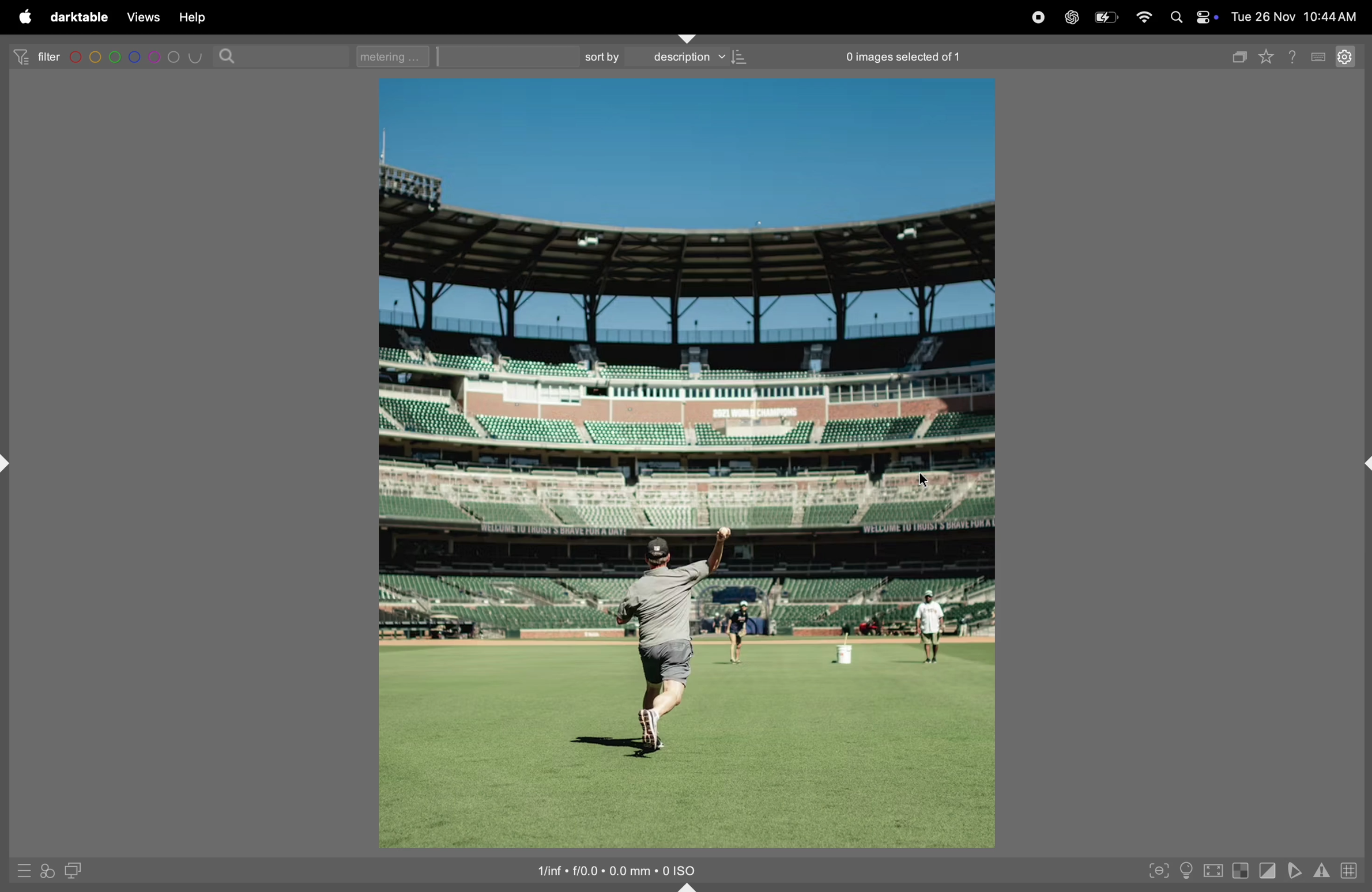 The image size is (1372, 892). What do you see at coordinates (138, 54) in the screenshot?
I see `color` at bounding box center [138, 54].